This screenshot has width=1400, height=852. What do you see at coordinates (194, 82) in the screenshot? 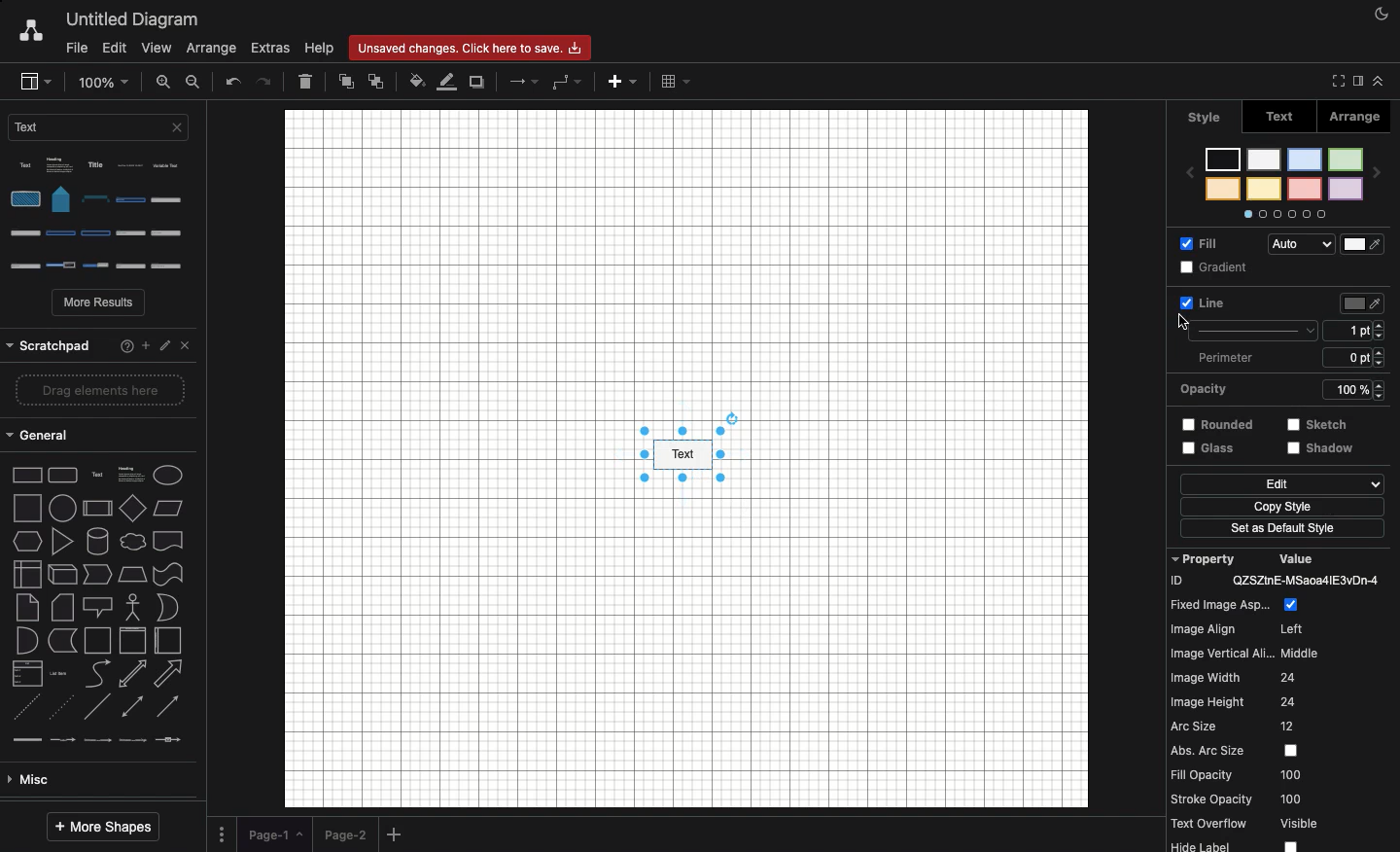
I see `Zoom out` at bounding box center [194, 82].